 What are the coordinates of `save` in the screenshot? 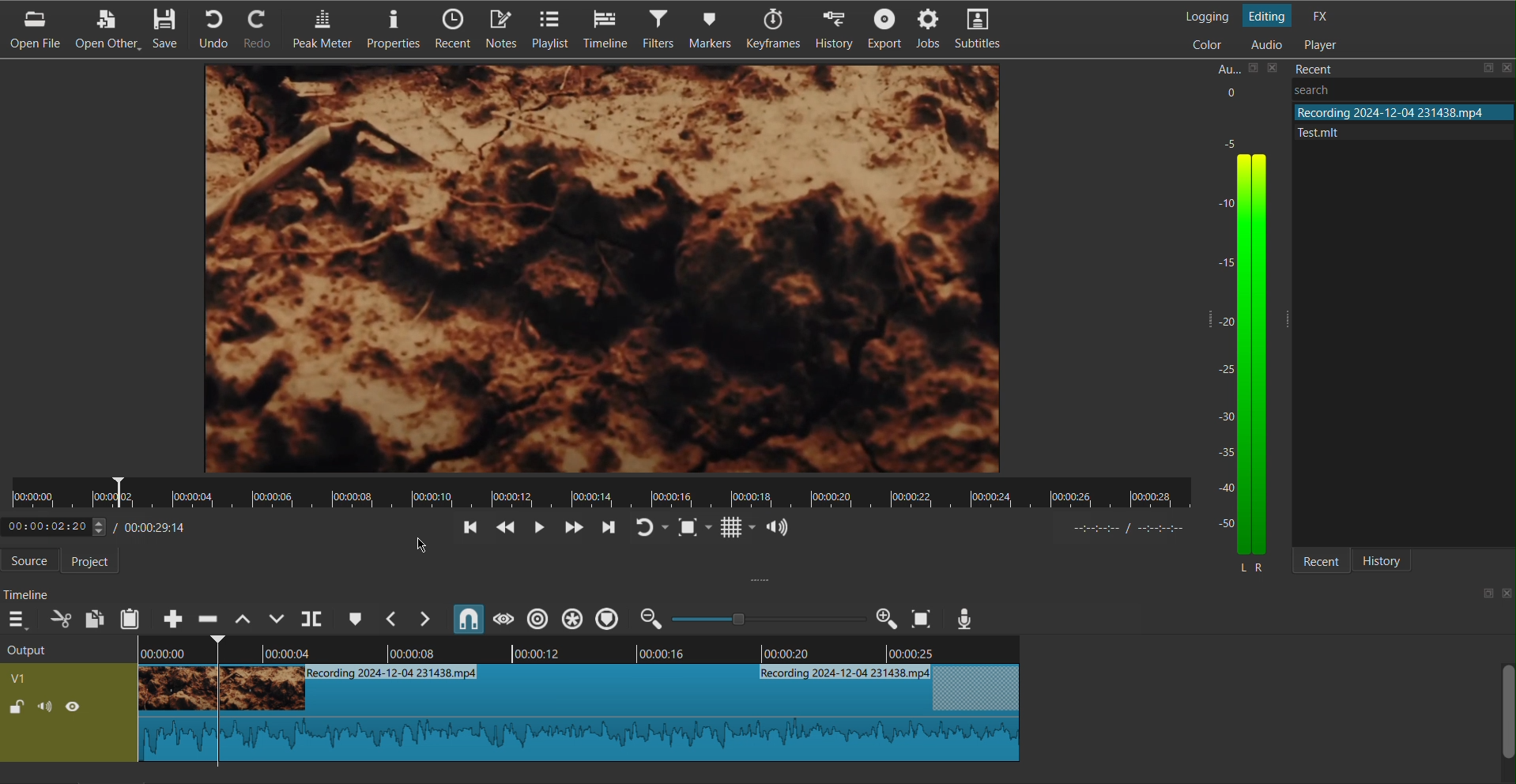 It's located at (1487, 68).